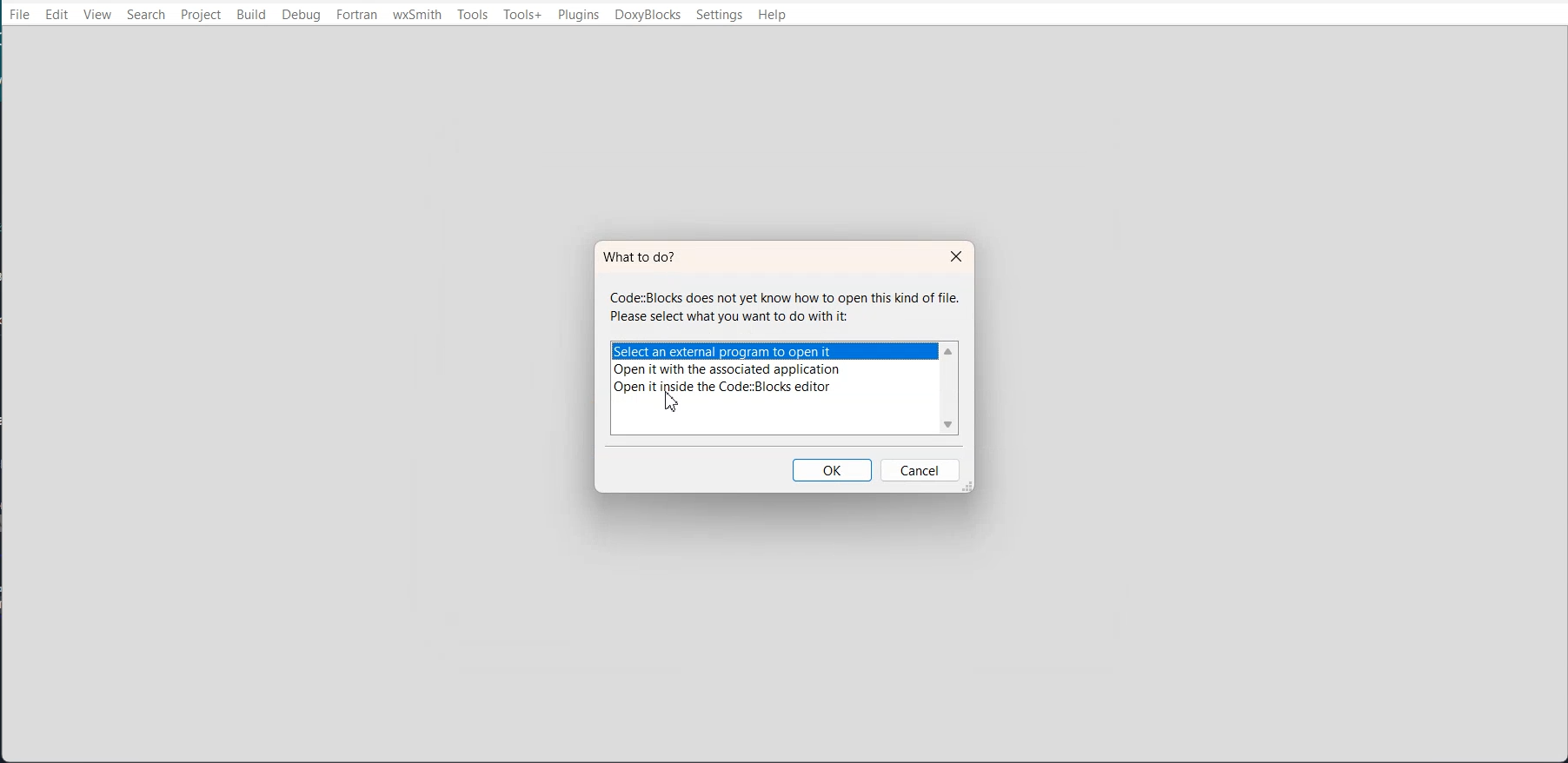 The image size is (1568, 763). What do you see at coordinates (773, 370) in the screenshot?
I see `Open it with the associated applications` at bounding box center [773, 370].